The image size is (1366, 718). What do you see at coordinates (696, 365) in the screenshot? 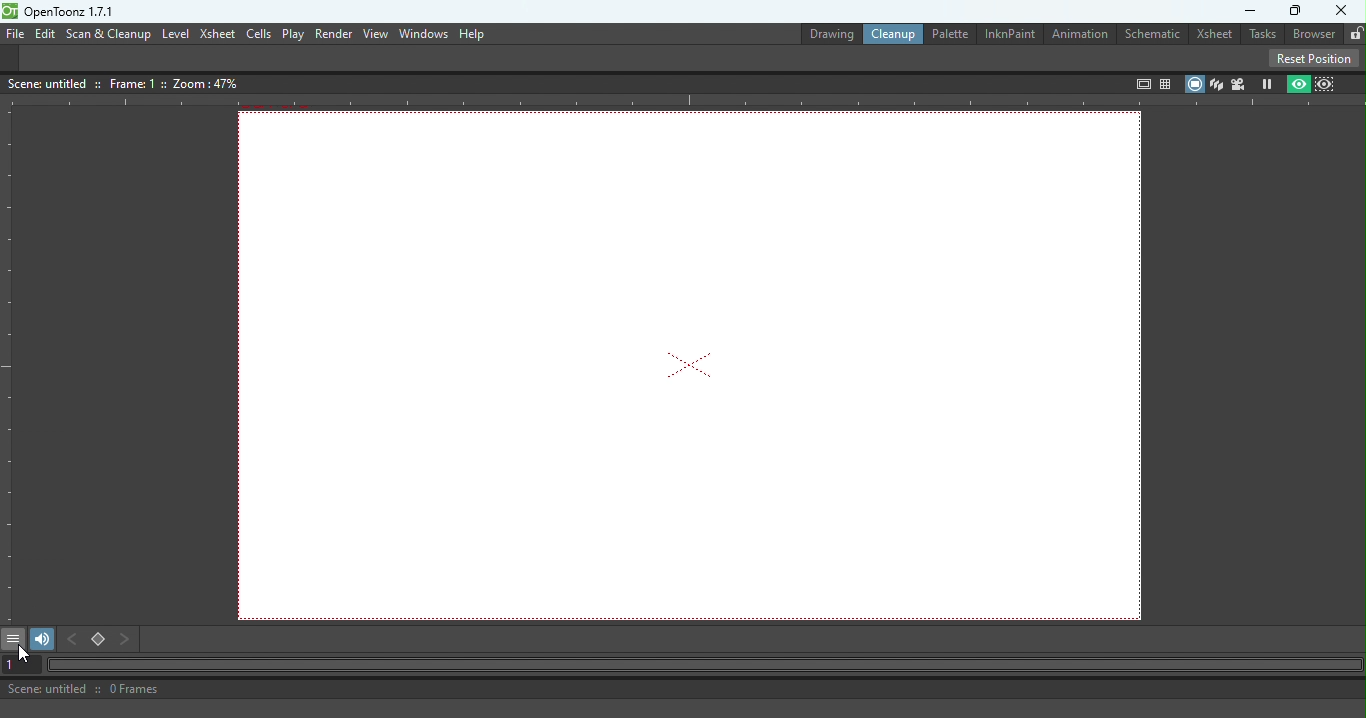
I see `Canvas` at bounding box center [696, 365].